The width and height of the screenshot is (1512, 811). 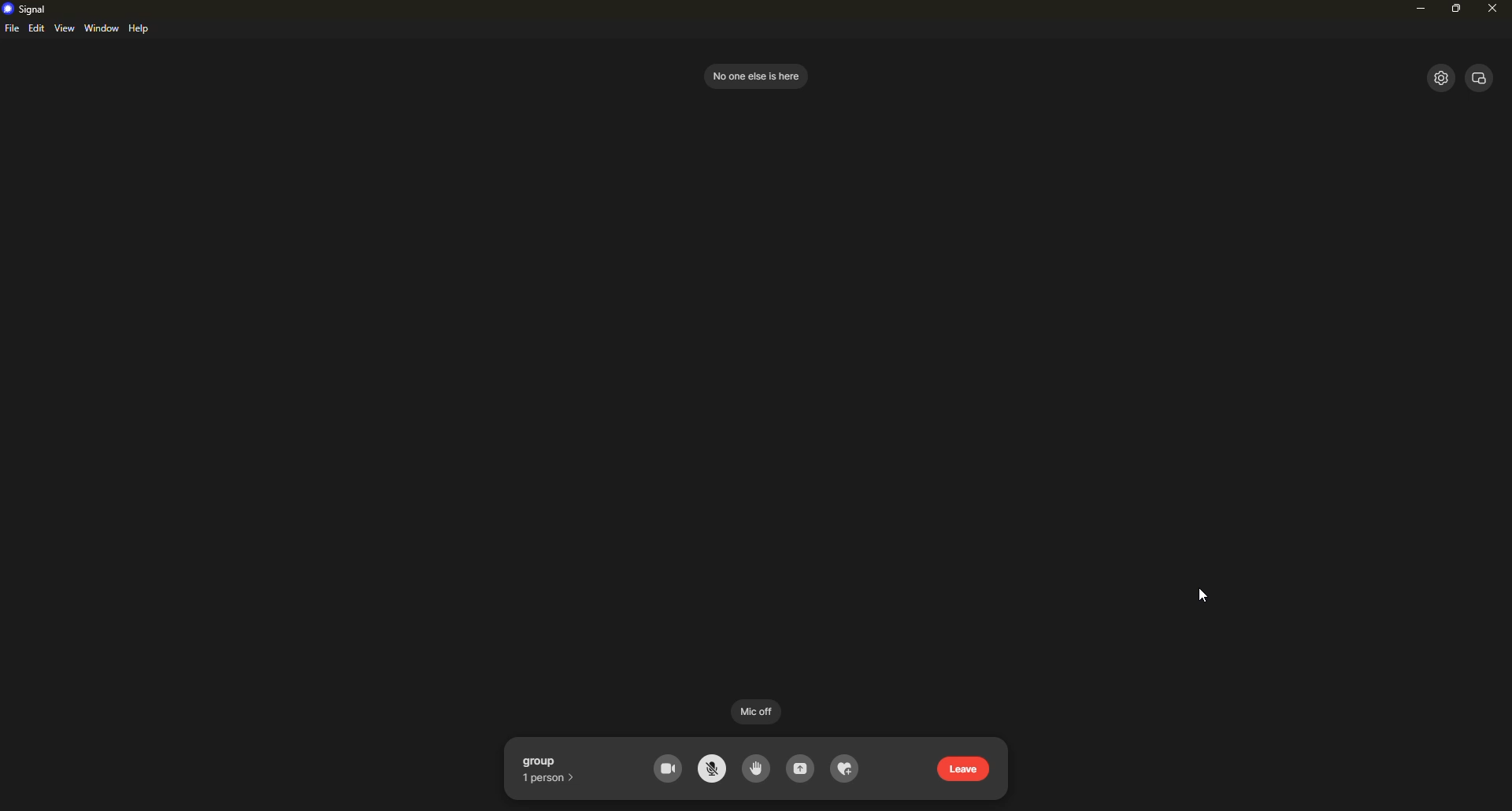 I want to click on cursor, so click(x=1203, y=598).